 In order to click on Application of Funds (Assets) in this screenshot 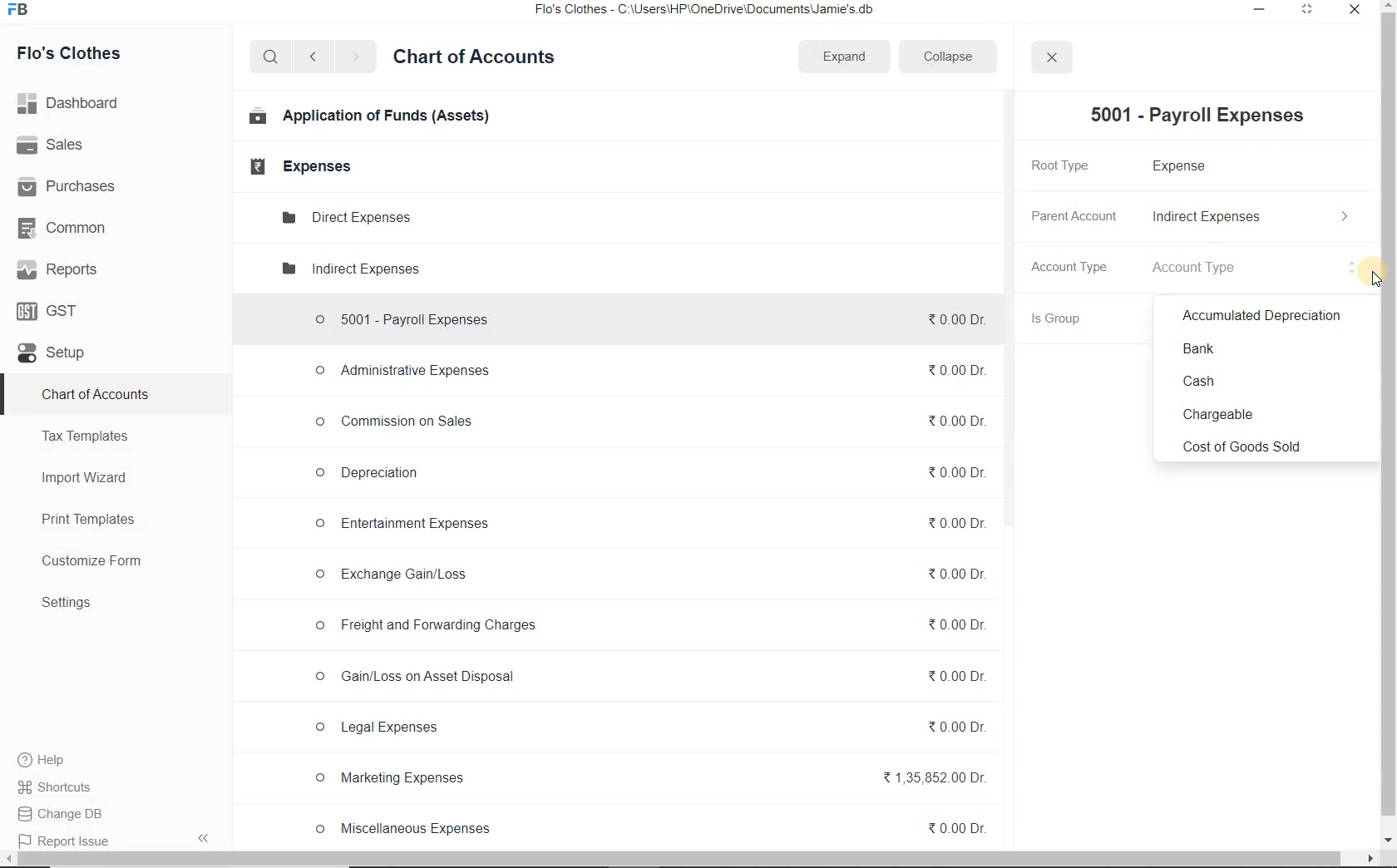, I will do `click(370, 117)`.